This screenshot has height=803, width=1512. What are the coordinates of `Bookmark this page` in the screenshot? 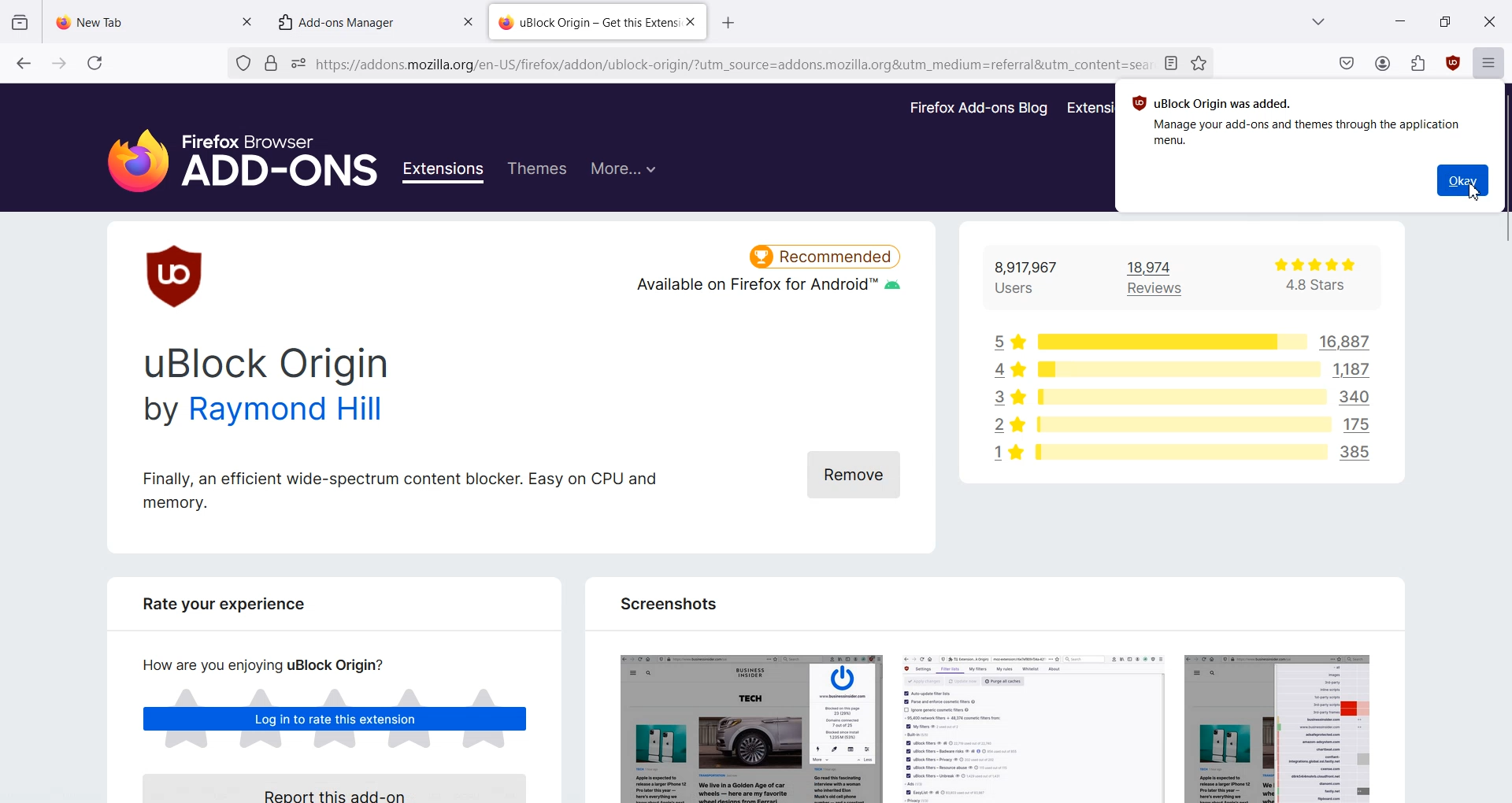 It's located at (1204, 62).